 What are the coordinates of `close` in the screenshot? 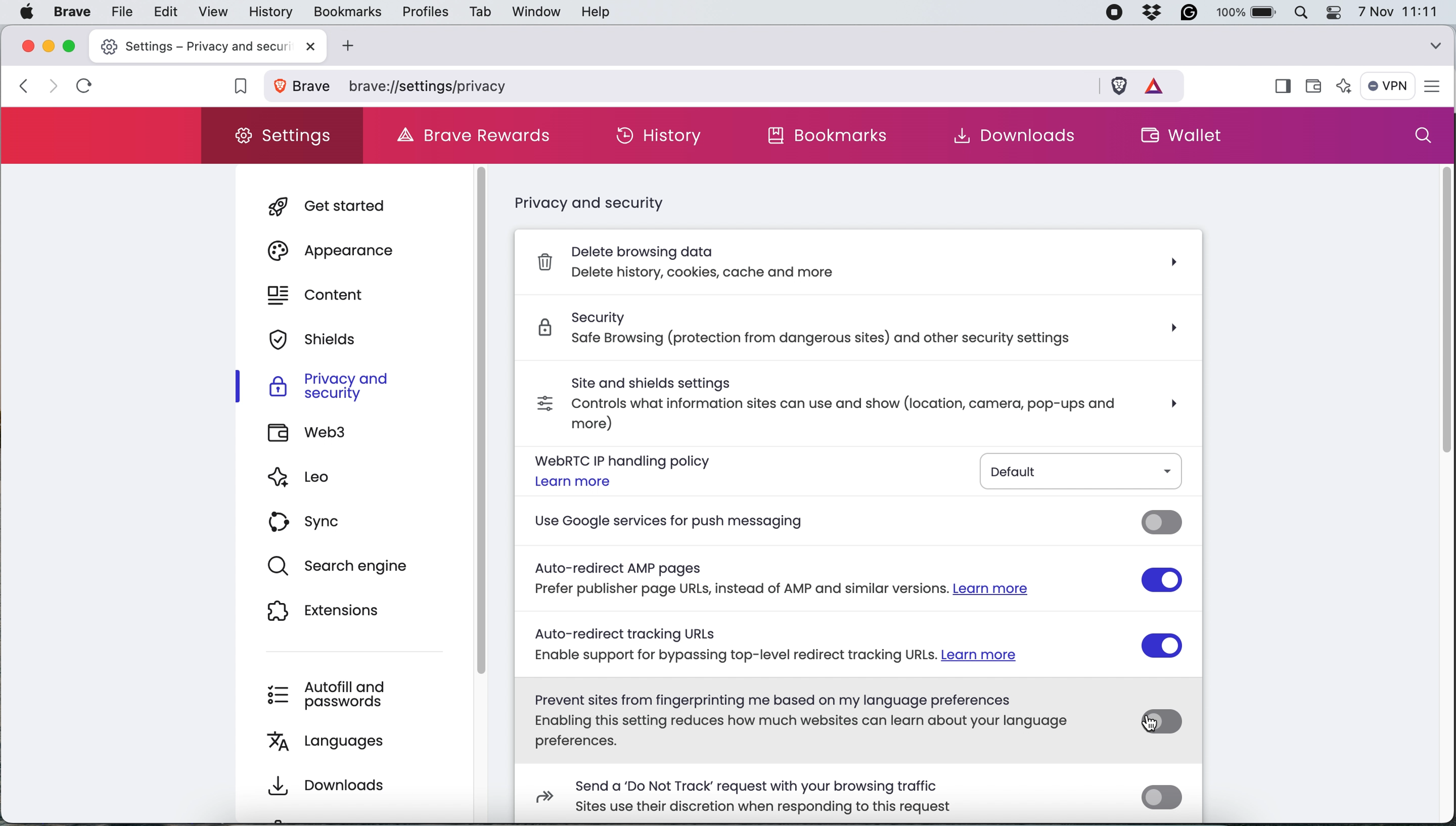 It's located at (26, 46).